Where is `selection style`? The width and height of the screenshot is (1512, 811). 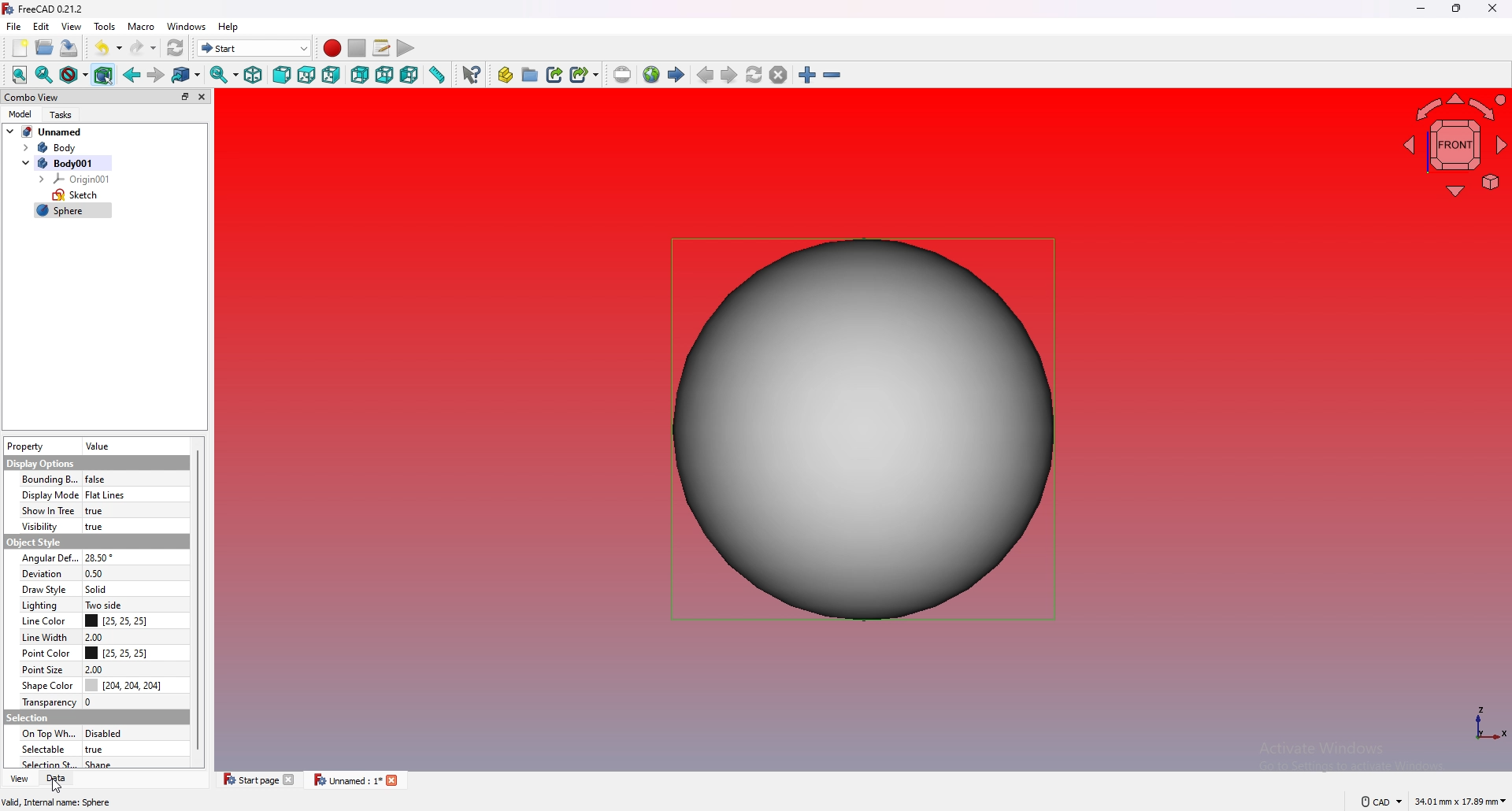 selection style is located at coordinates (96, 763).